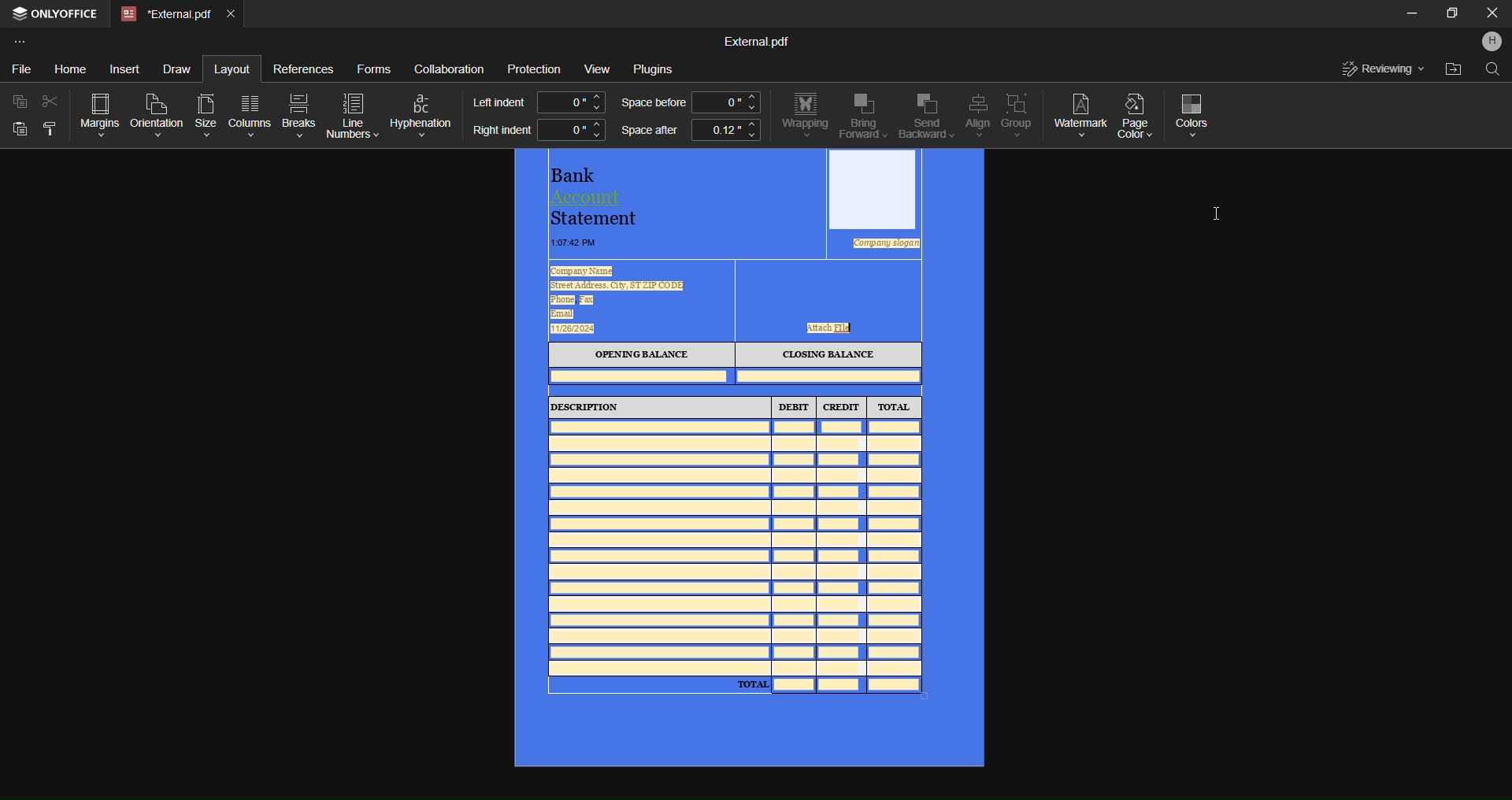 This screenshot has height=800, width=1512. Describe the element at coordinates (648, 132) in the screenshot. I see `Space After` at that location.